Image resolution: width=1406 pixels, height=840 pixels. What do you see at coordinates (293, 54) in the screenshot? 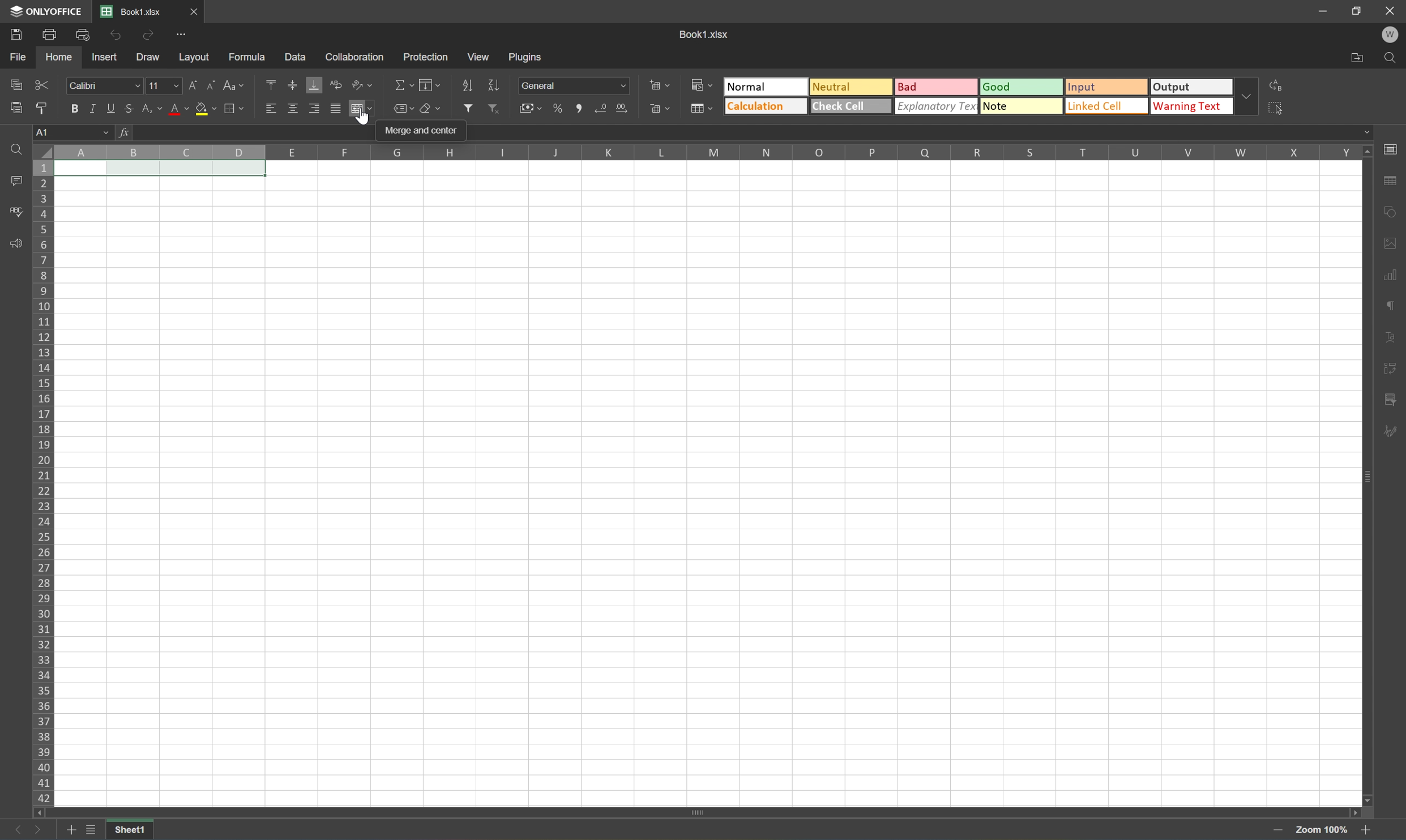
I see `Data` at bounding box center [293, 54].